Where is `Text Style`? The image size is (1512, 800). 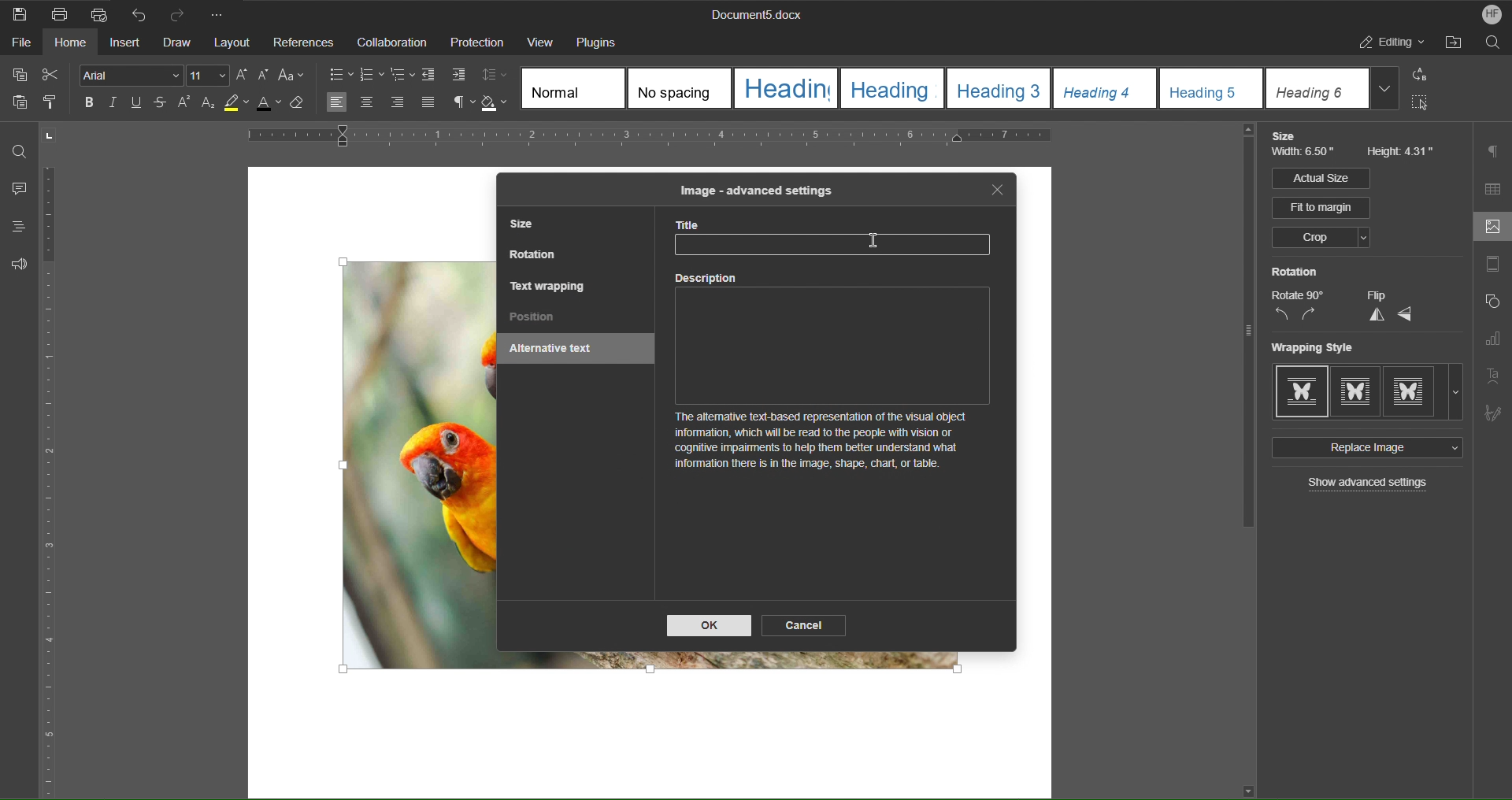
Text Style is located at coordinates (962, 88).